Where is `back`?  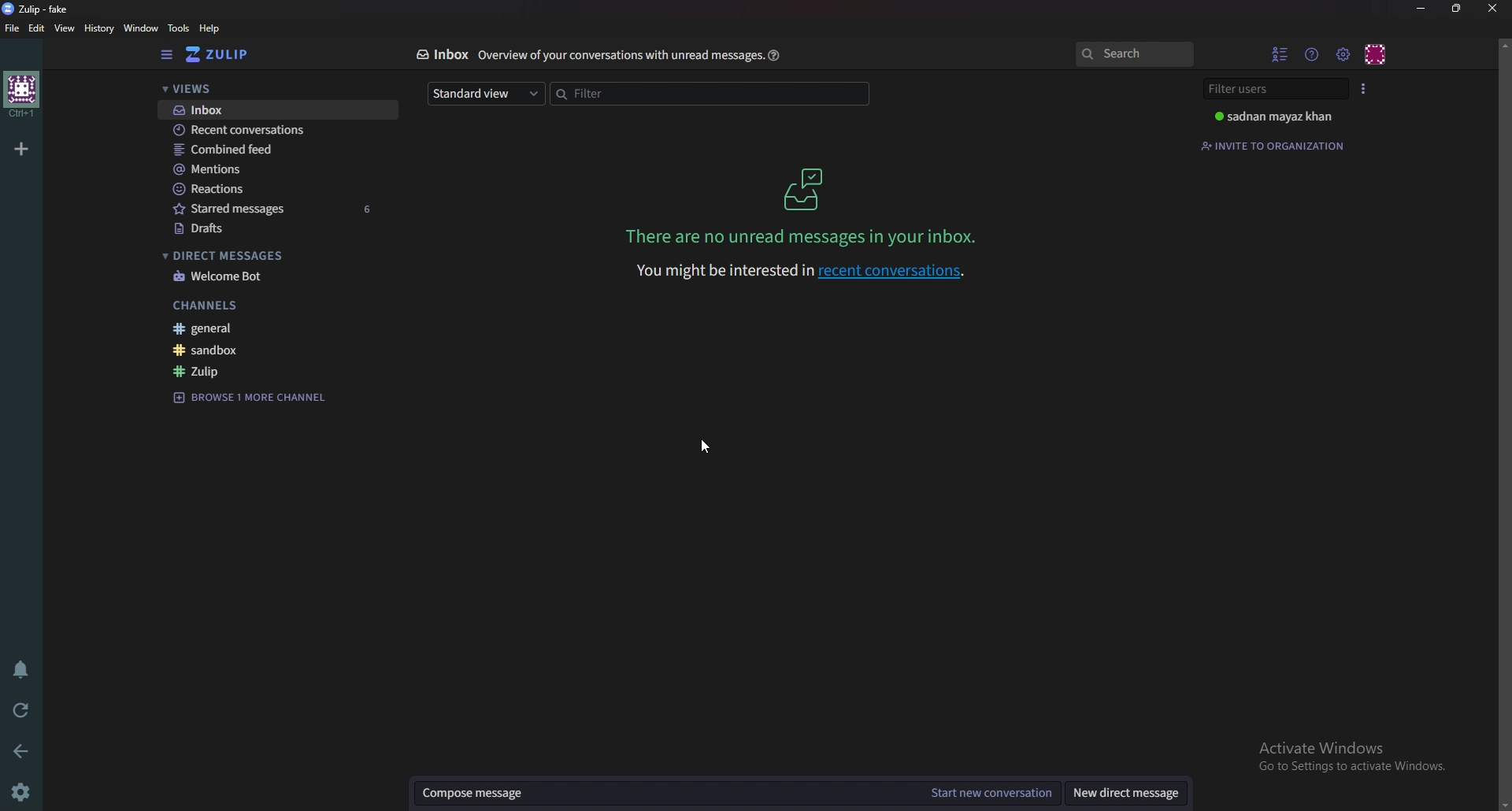 back is located at coordinates (21, 751).